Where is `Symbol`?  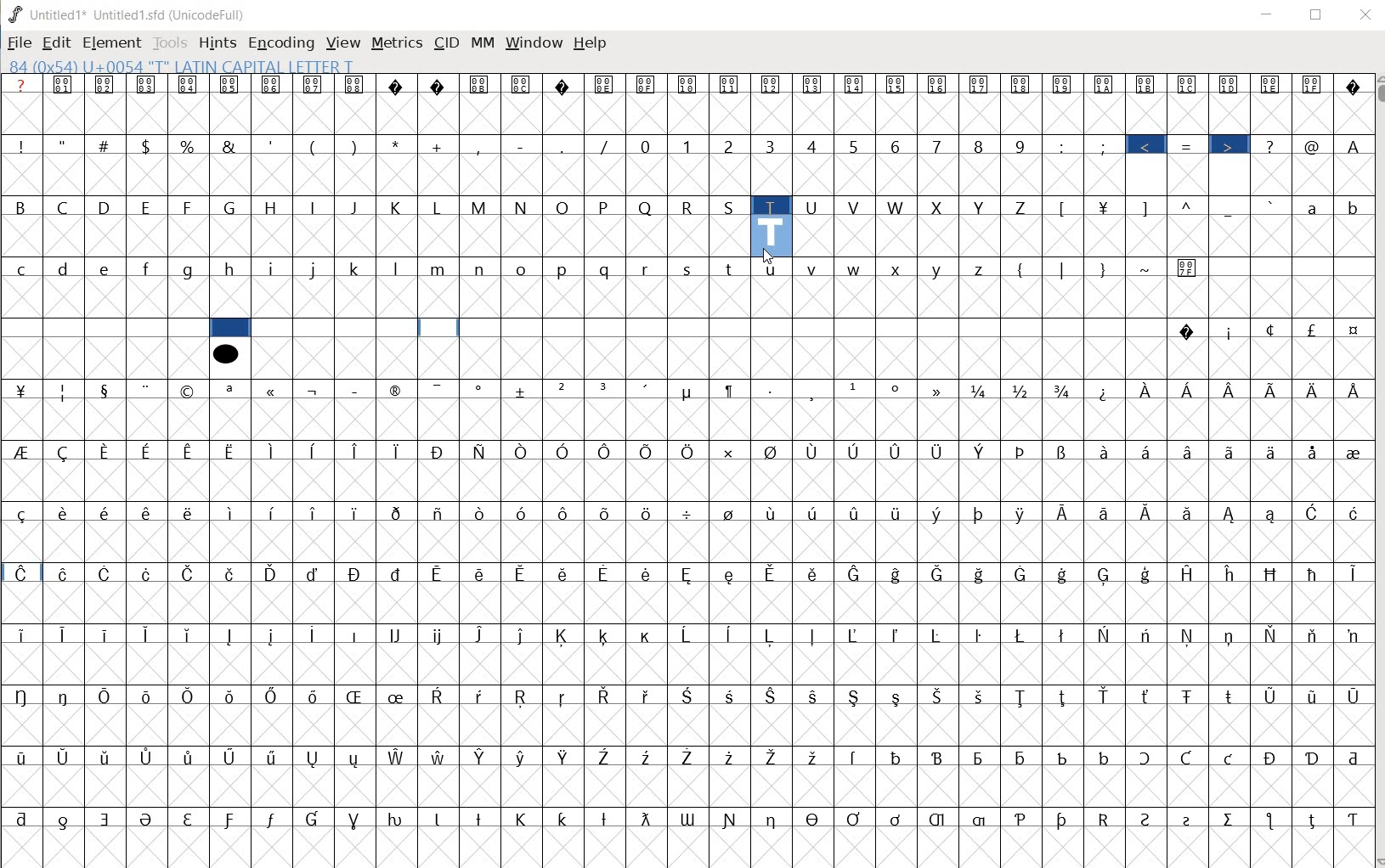 Symbol is located at coordinates (565, 816).